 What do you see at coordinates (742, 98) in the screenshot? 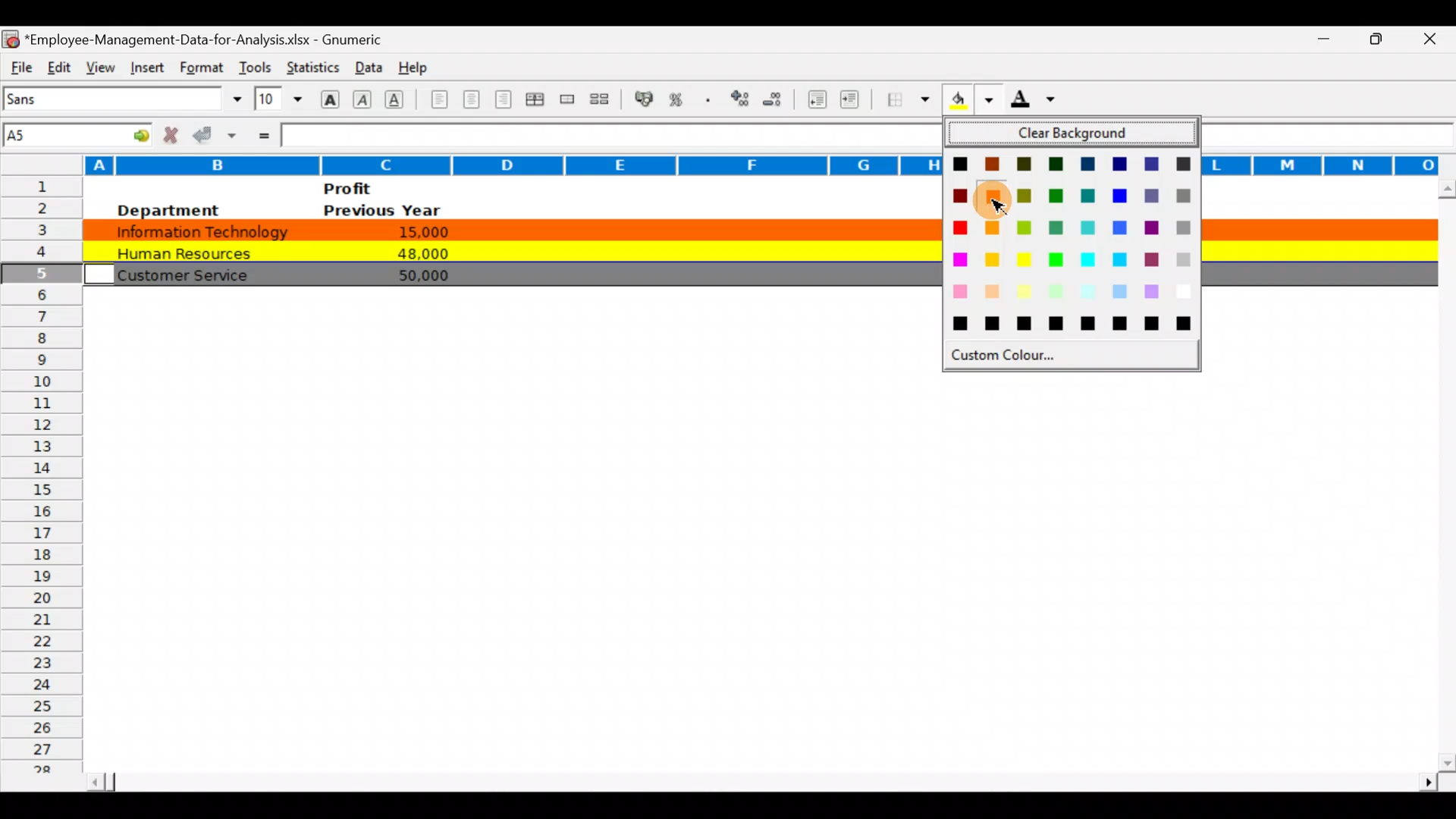
I see `Increase decimals` at bounding box center [742, 98].